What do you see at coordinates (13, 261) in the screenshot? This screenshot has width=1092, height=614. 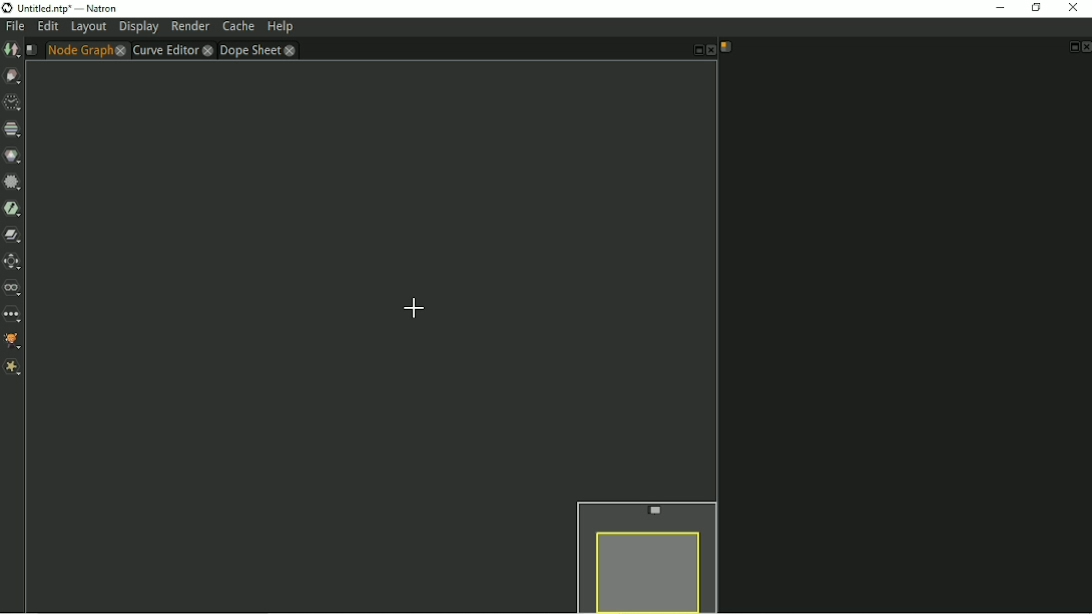 I see `Transform` at bounding box center [13, 261].